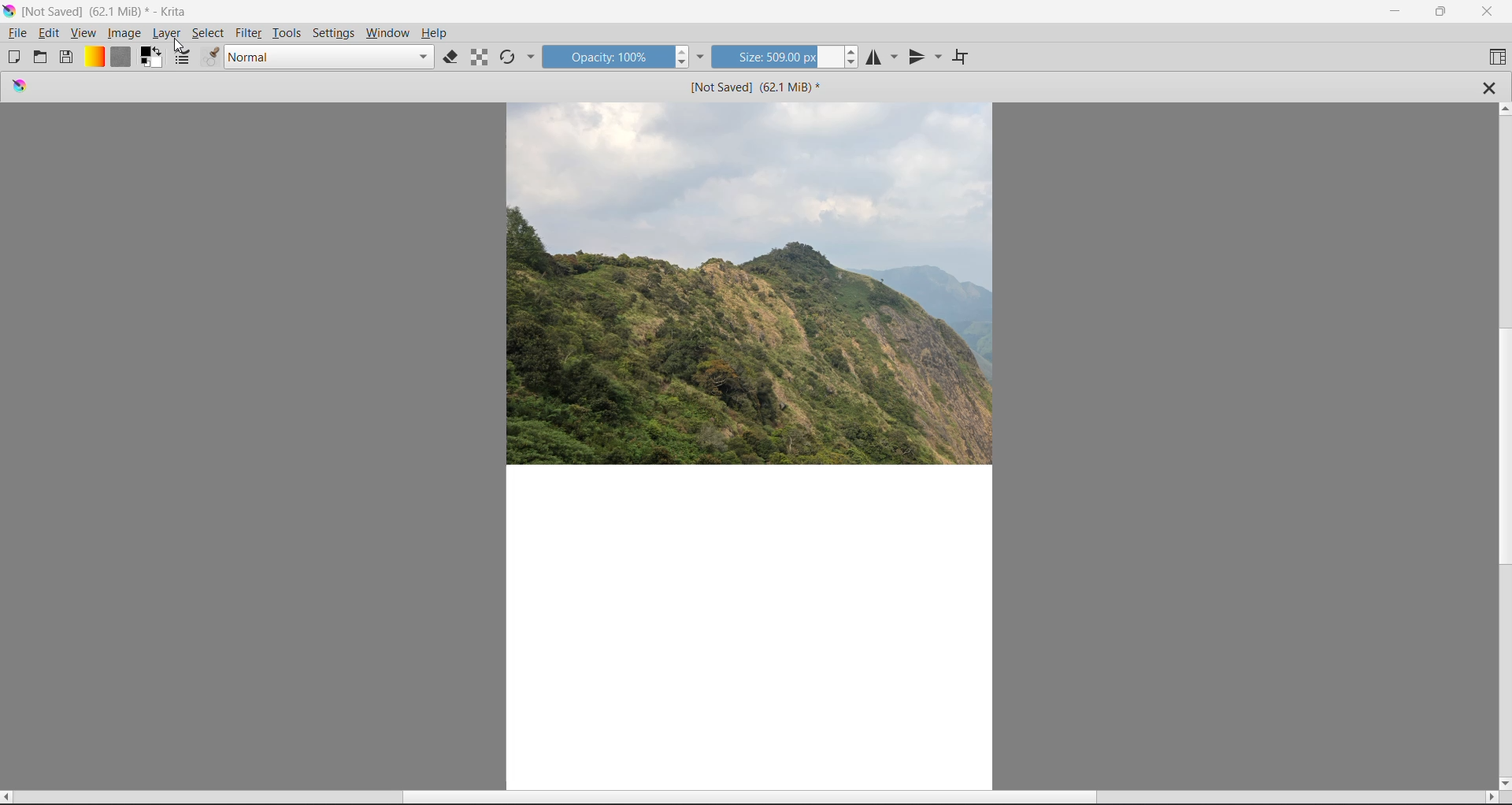 This screenshot has height=805, width=1512. I want to click on Application Name, so click(108, 10).